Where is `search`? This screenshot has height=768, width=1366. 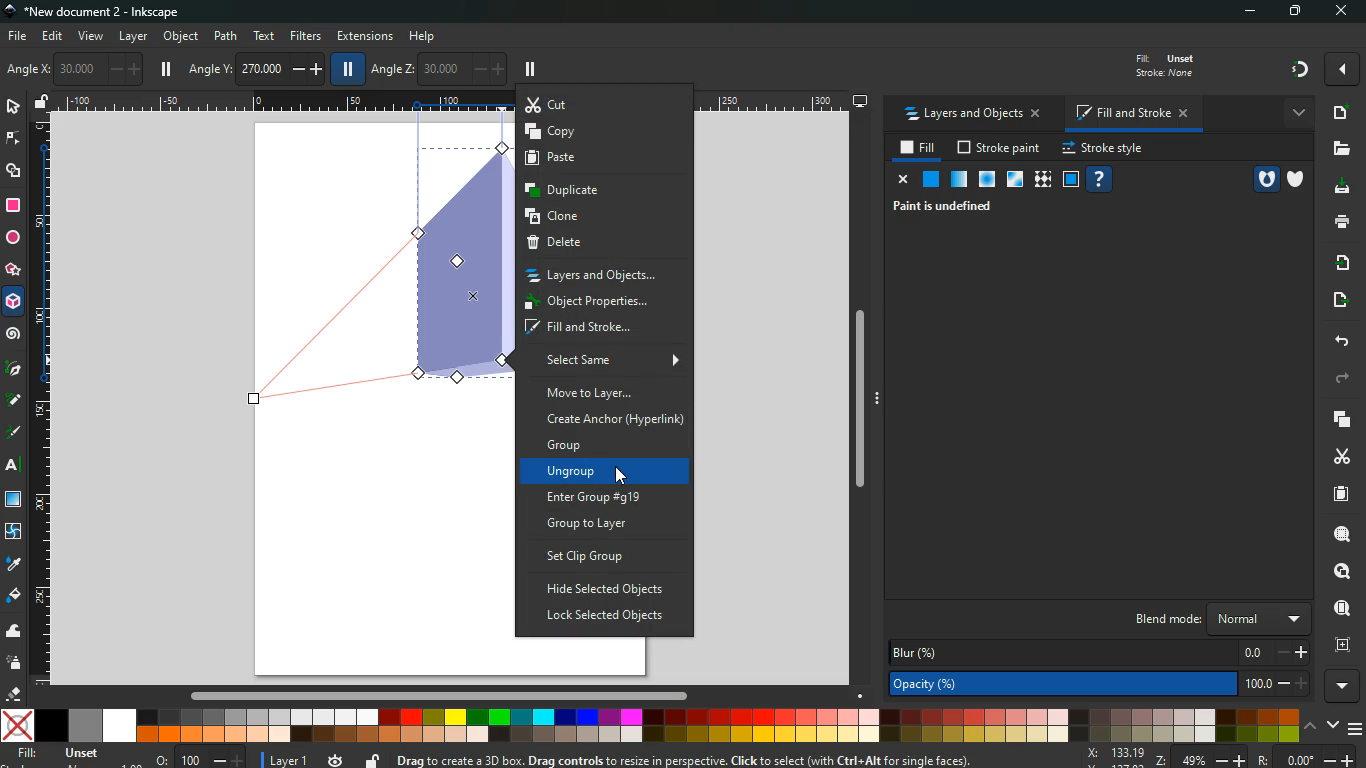
search is located at coordinates (1340, 534).